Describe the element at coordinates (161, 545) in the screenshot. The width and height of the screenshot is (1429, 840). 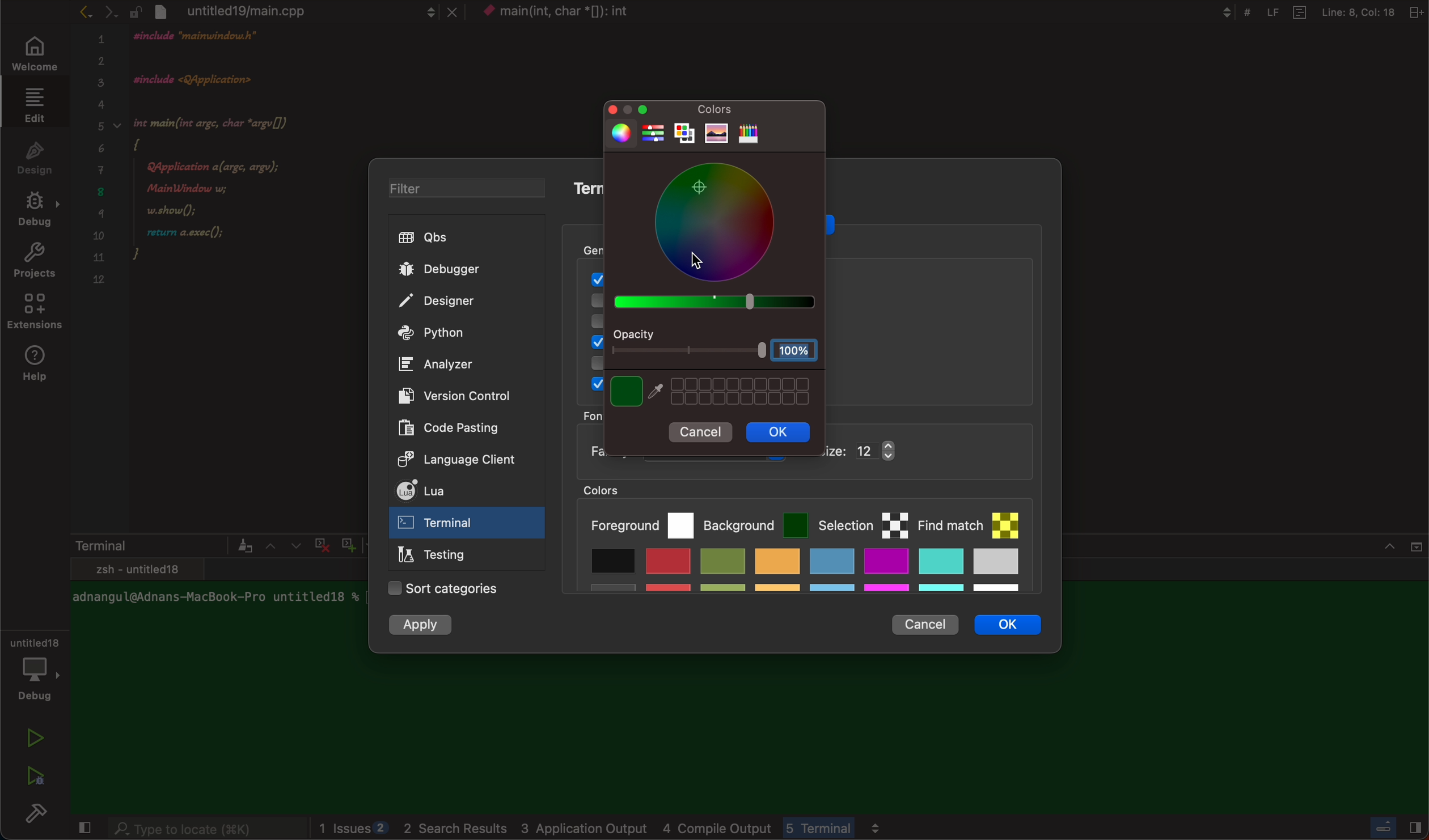
I see `terminal` at that location.